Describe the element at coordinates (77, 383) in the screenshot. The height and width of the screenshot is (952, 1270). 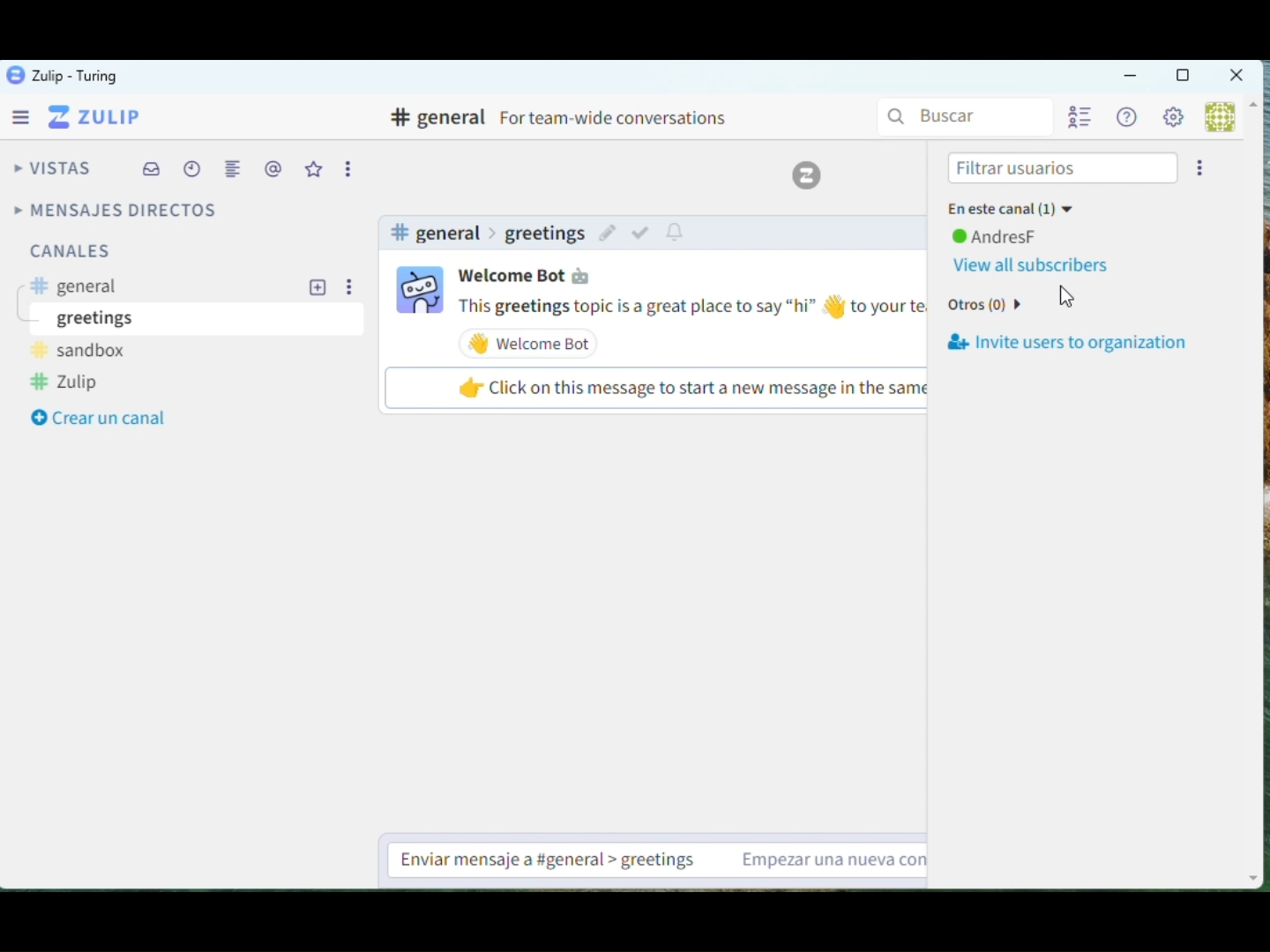
I see `zulip` at that location.